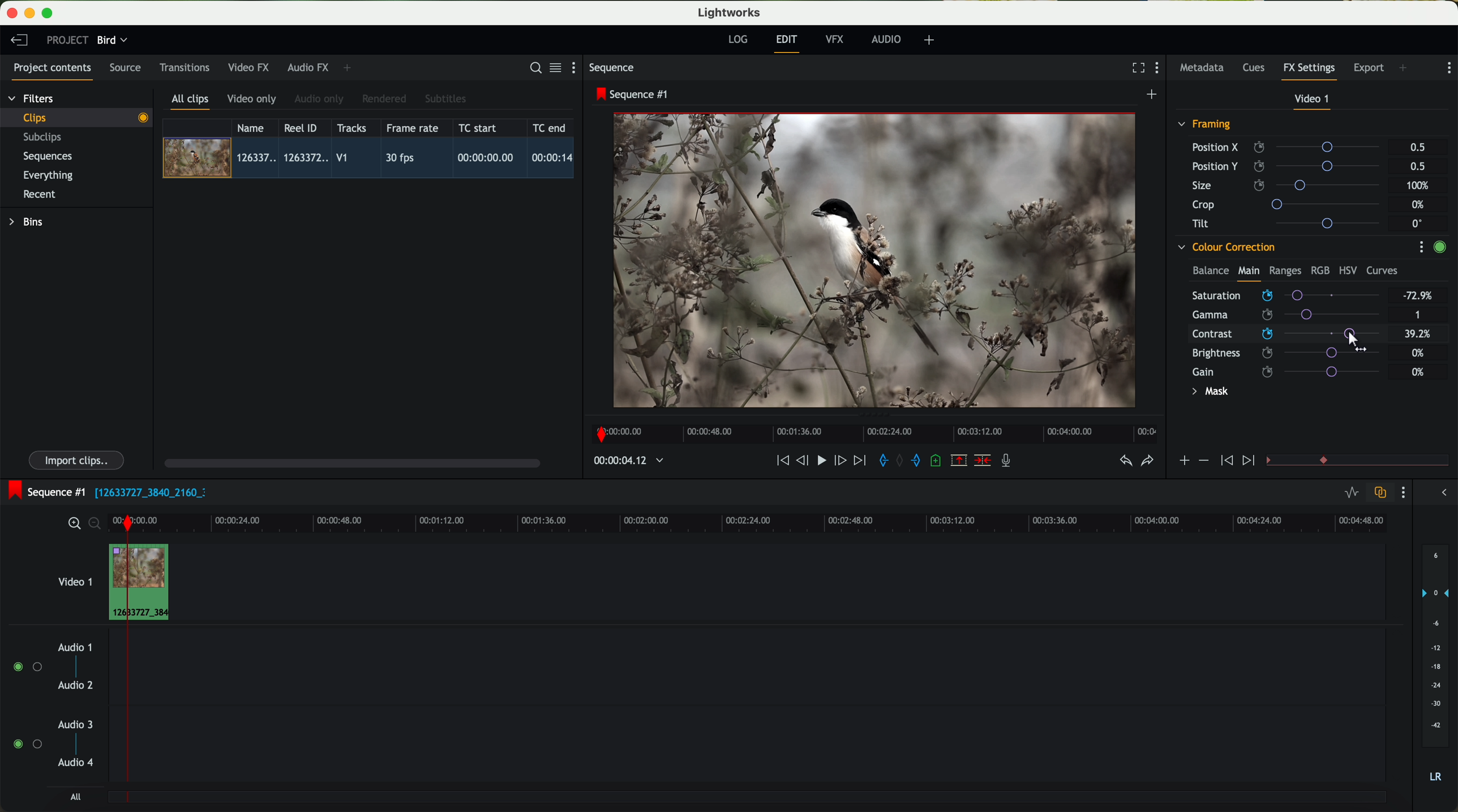 The width and height of the screenshot is (1458, 812). Describe the element at coordinates (1205, 126) in the screenshot. I see `framing` at that location.